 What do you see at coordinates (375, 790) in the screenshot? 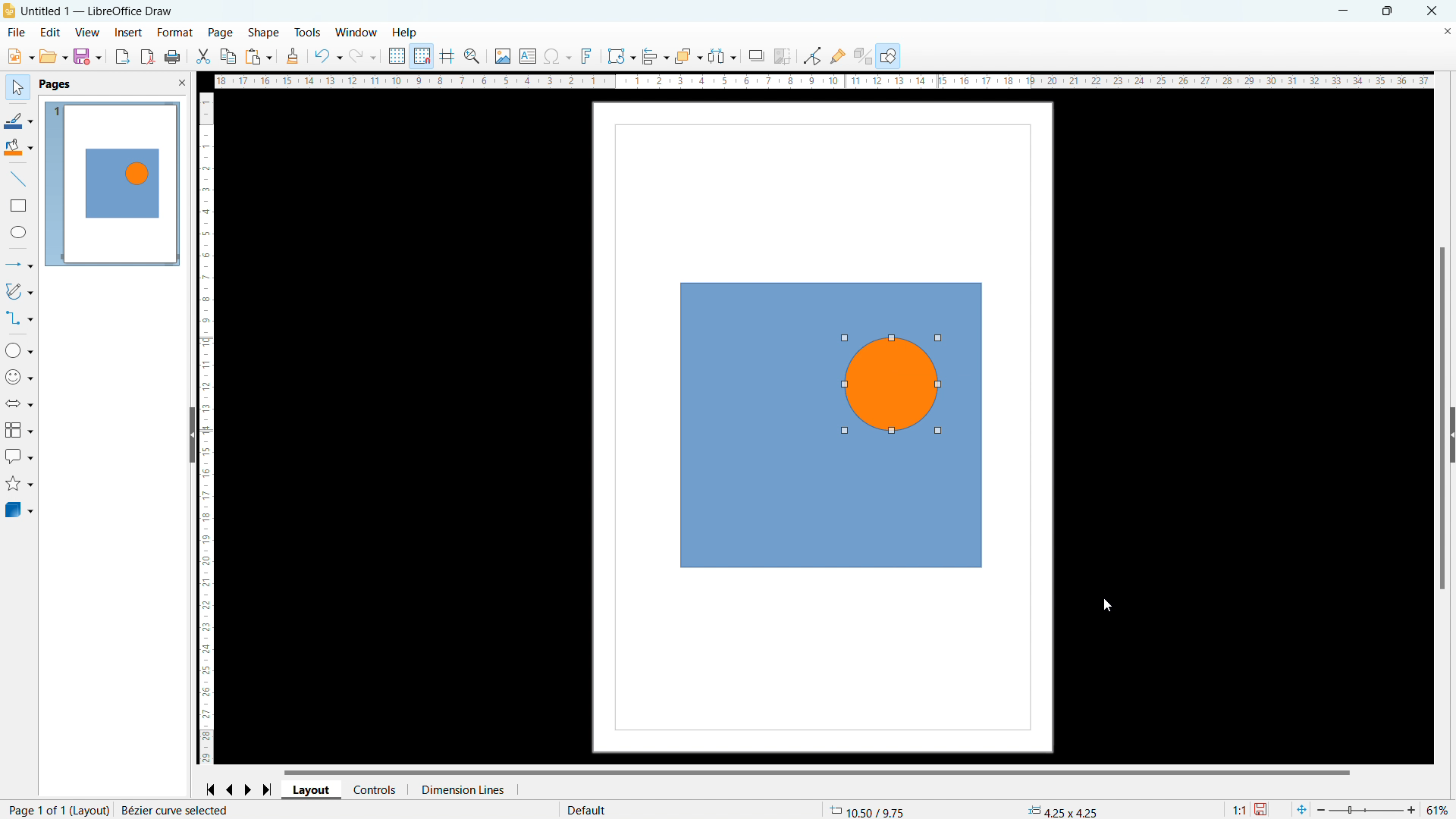
I see `controls` at bounding box center [375, 790].